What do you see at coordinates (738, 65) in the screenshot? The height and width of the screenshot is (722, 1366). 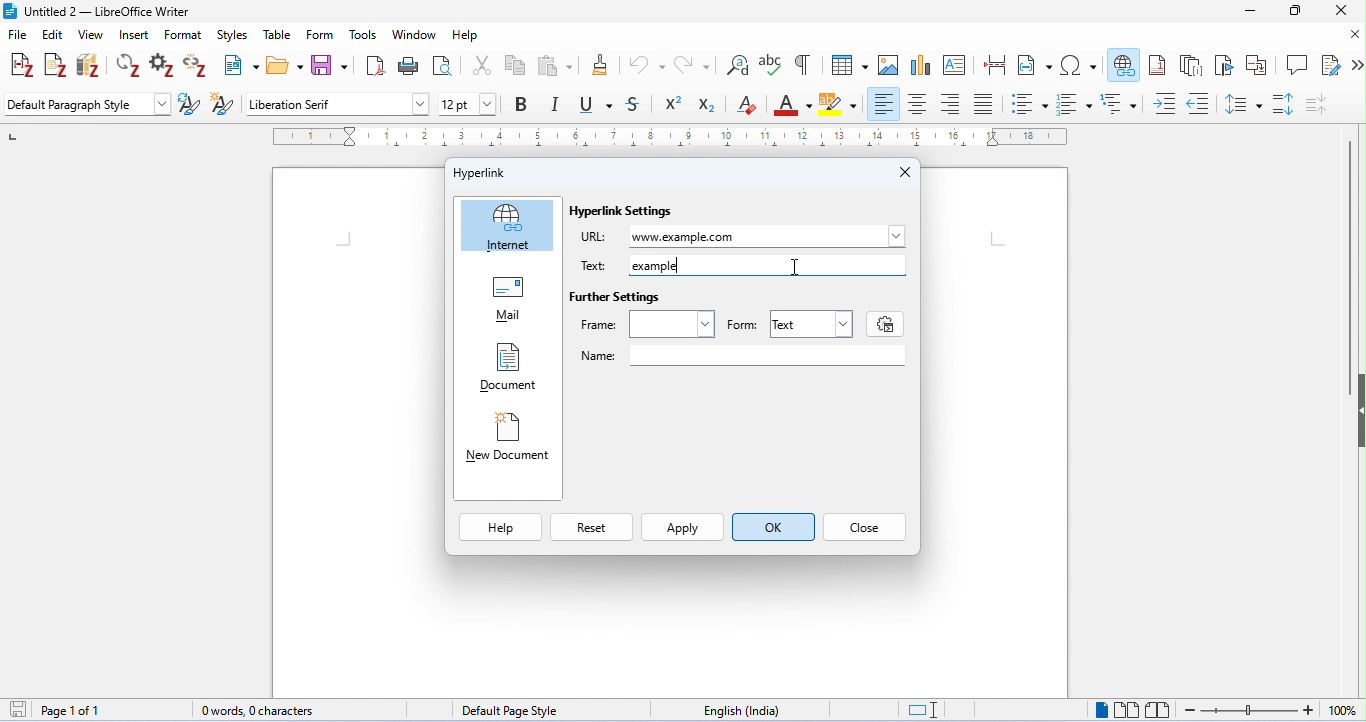 I see `find and replace` at bounding box center [738, 65].